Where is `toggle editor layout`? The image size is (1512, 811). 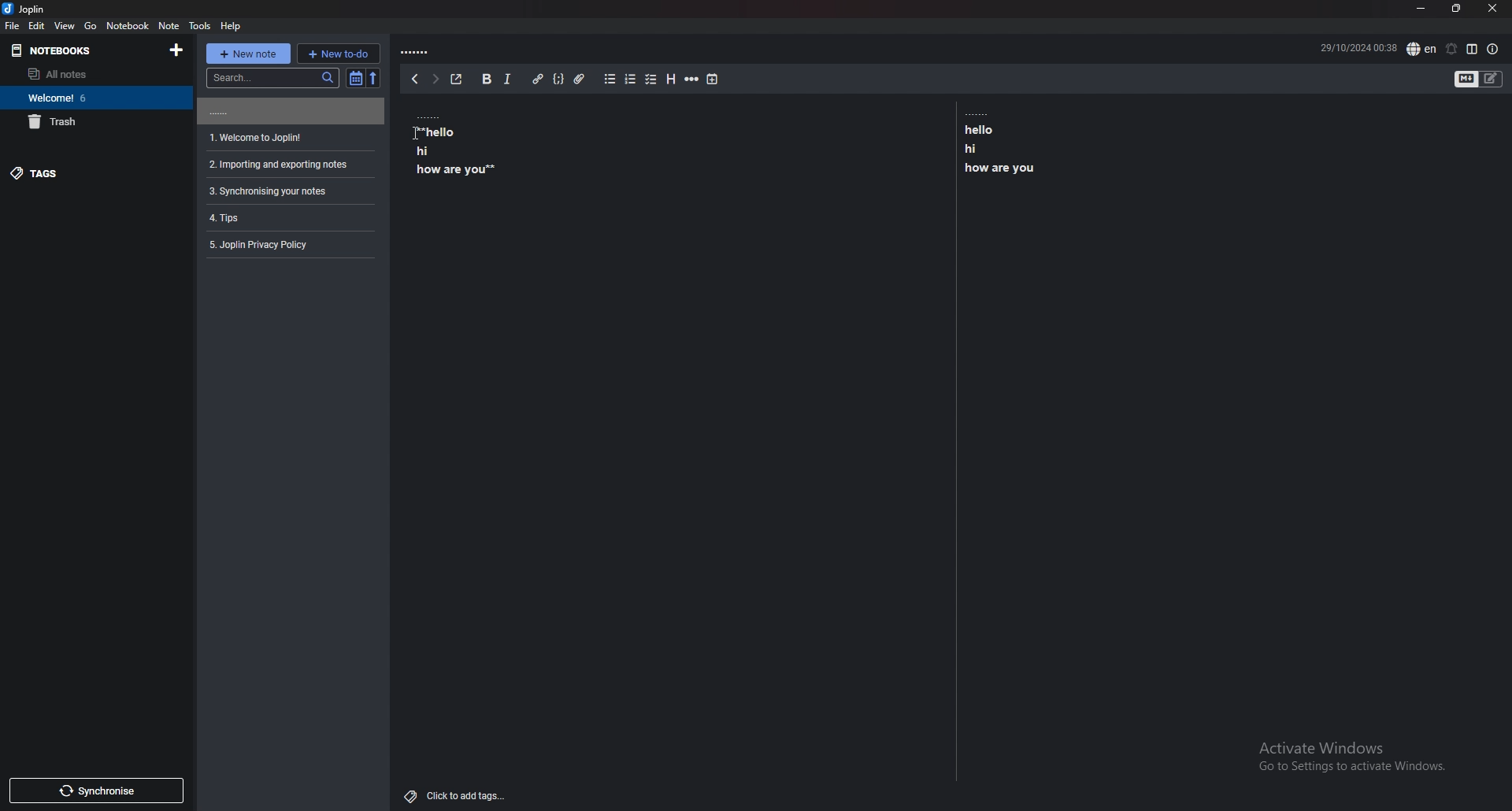 toggle editor layout is located at coordinates (1473, 49).